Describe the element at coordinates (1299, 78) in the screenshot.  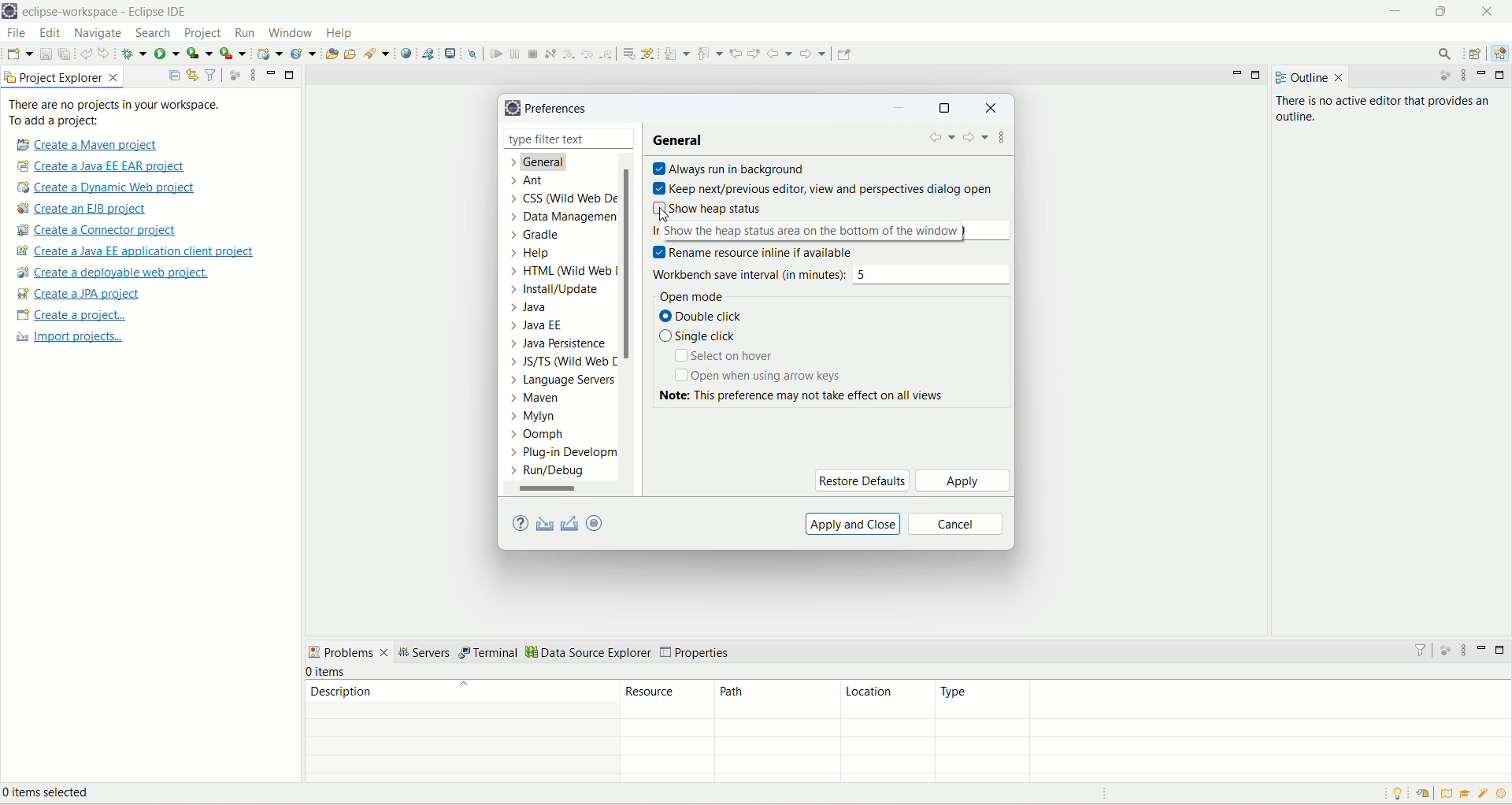
I see `outline` at that location.